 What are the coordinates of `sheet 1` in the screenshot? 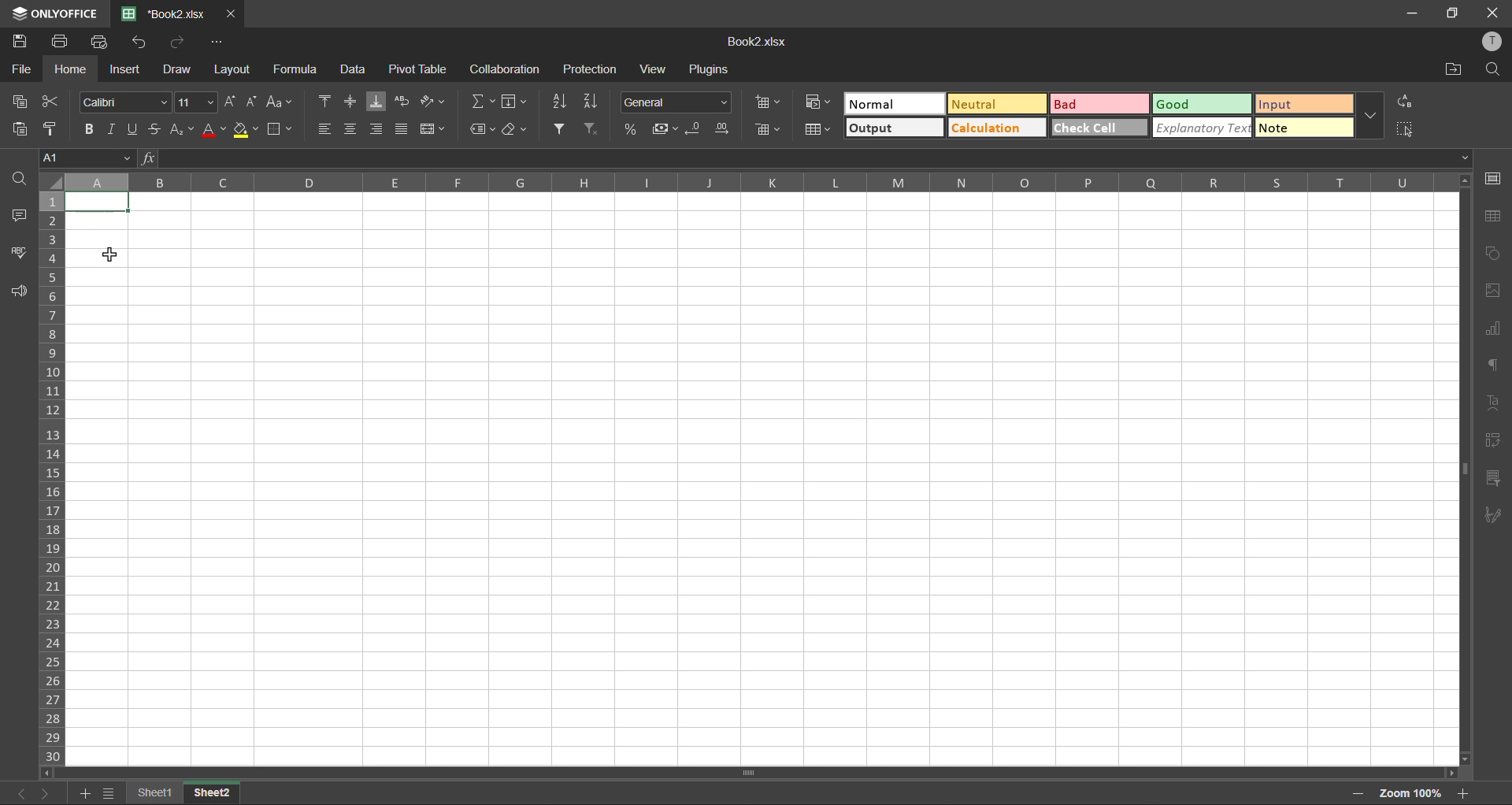 It's located at (153, 791).